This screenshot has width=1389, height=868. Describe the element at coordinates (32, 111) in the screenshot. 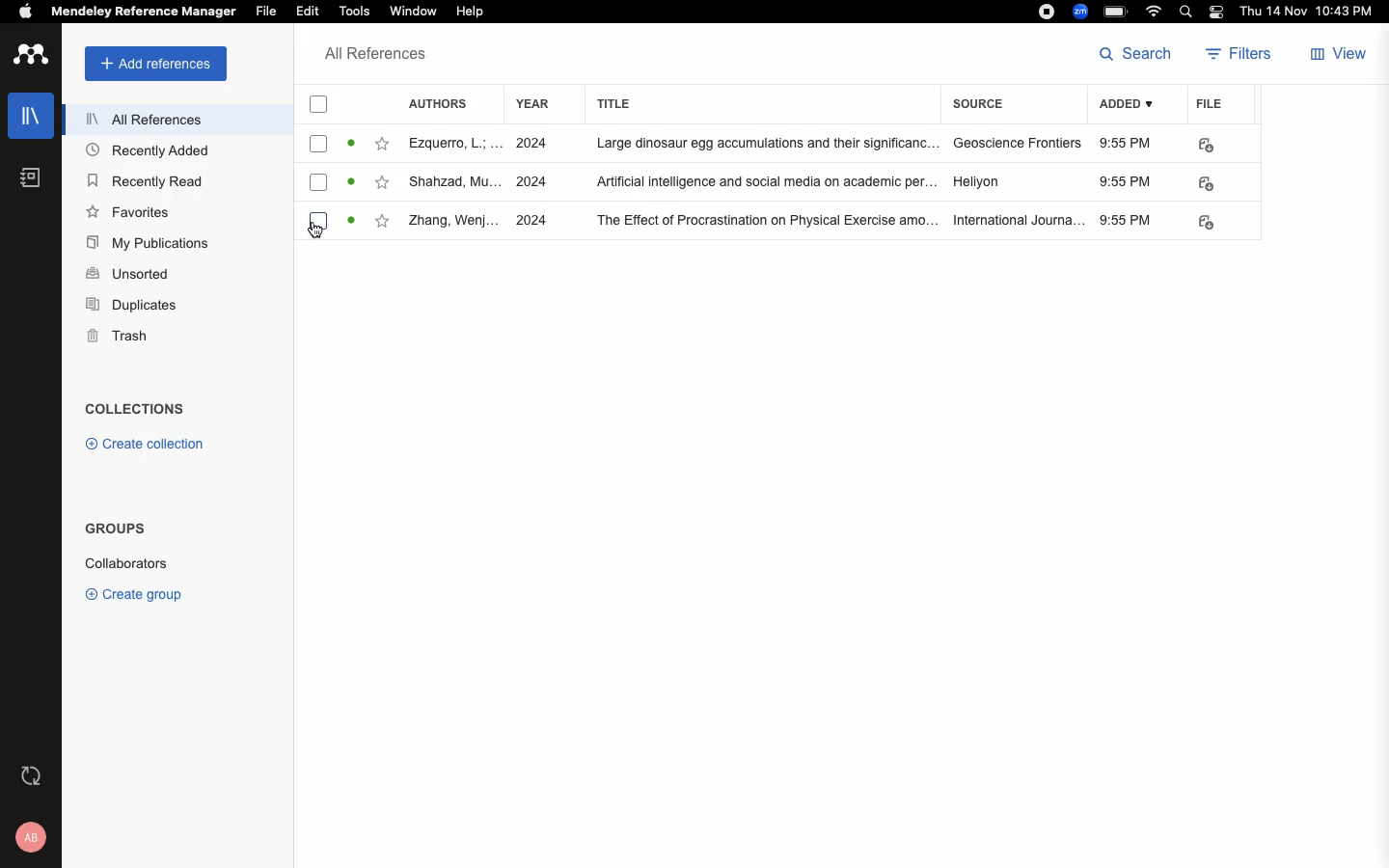

I see `Library` at that location.